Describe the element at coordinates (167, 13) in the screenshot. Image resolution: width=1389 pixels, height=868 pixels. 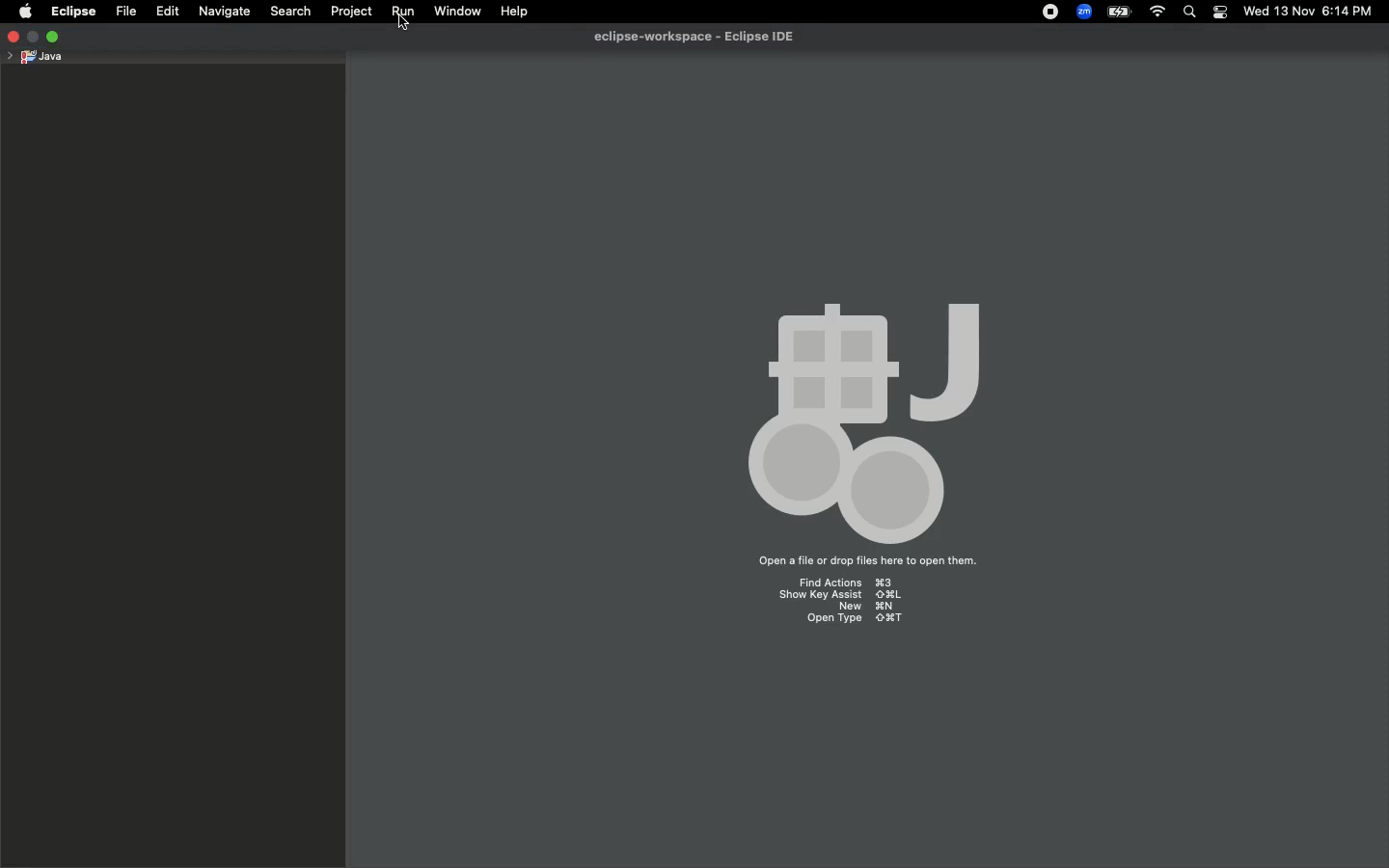
I see `Edit` at that location.